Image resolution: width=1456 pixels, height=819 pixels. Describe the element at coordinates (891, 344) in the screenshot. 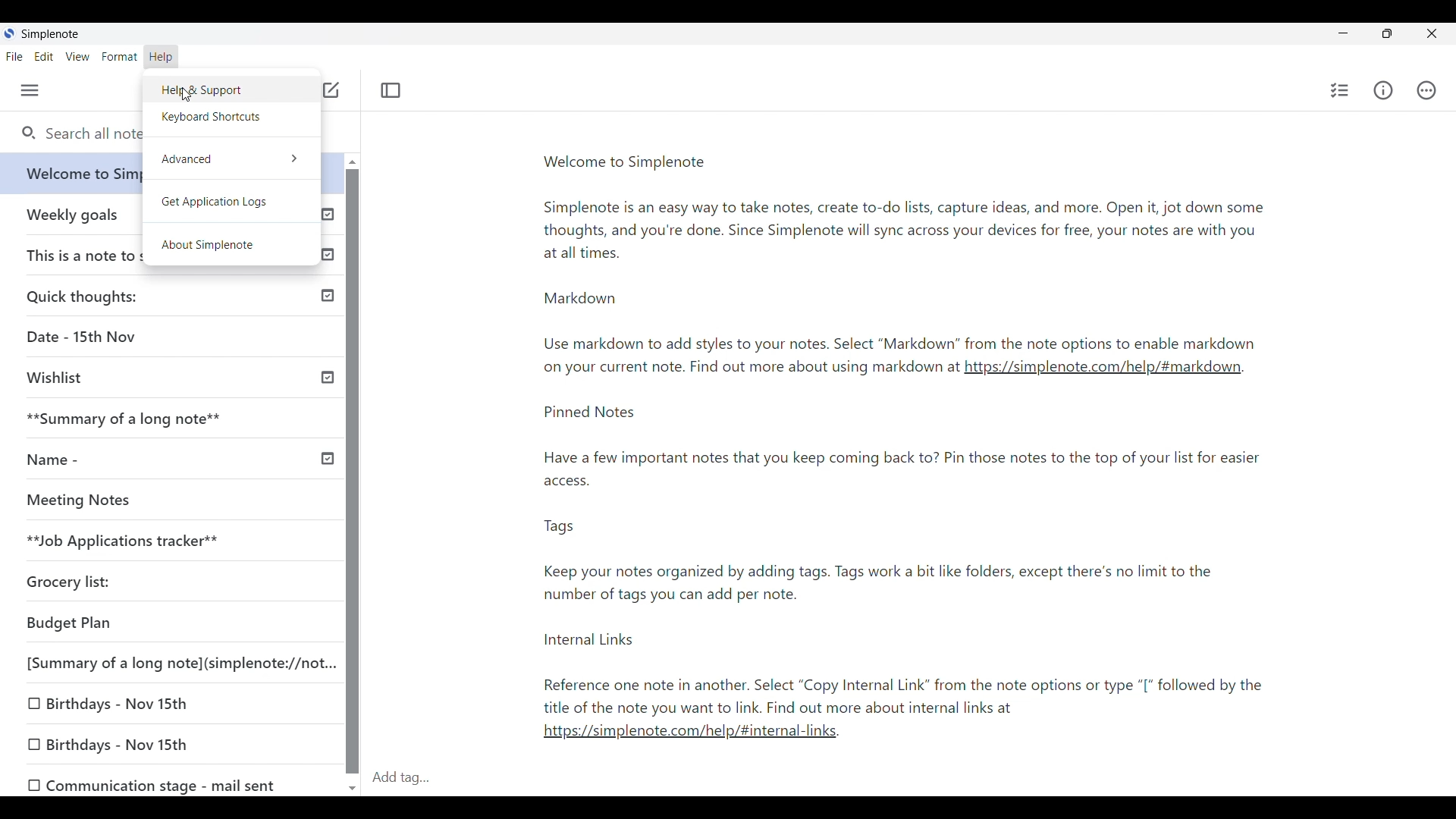

I see `Use markdown to add styles to your notes. Select “Markdown” from the note options to enable markdown` at that location.